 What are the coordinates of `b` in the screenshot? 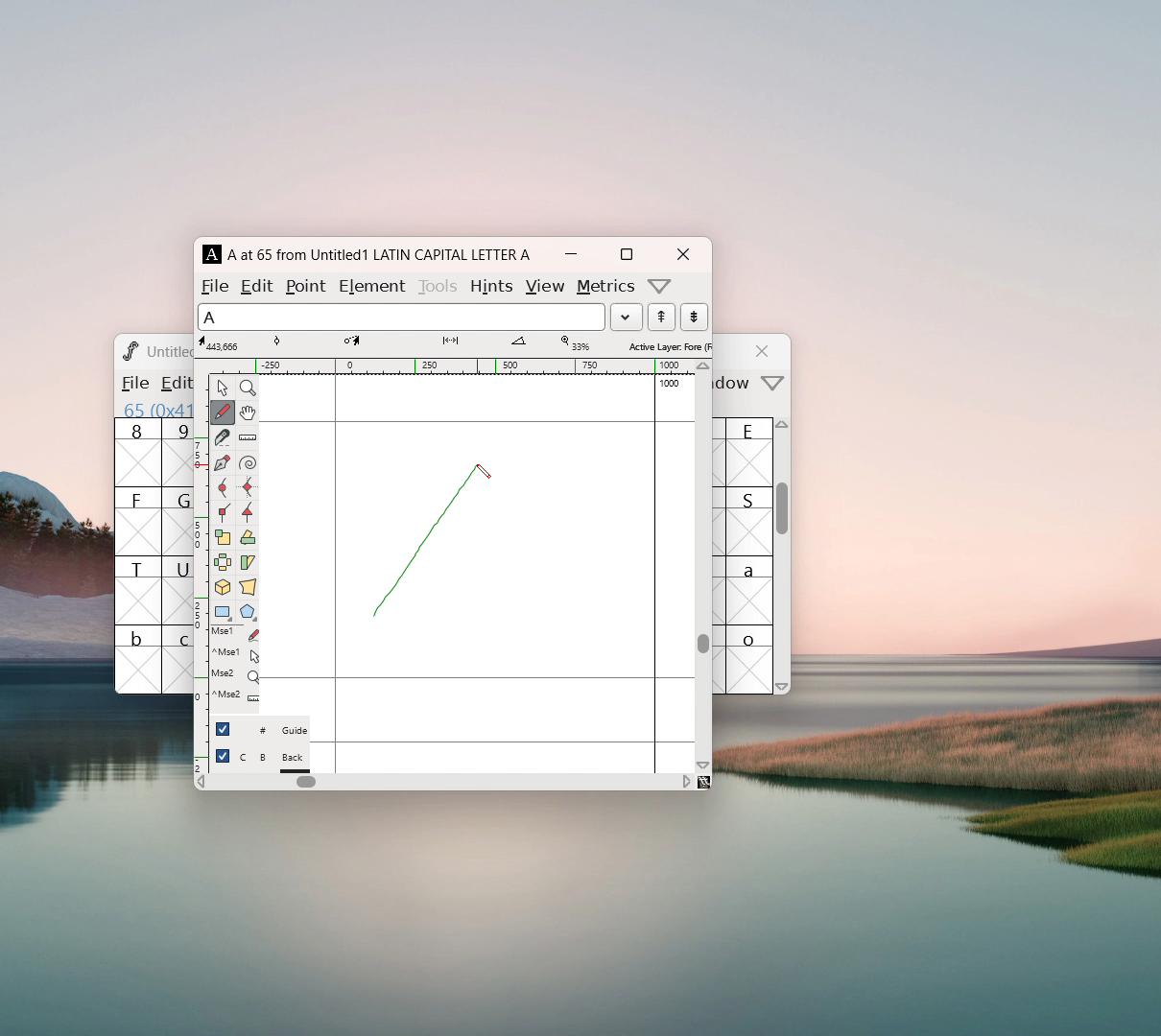 It's located at (138, 659).